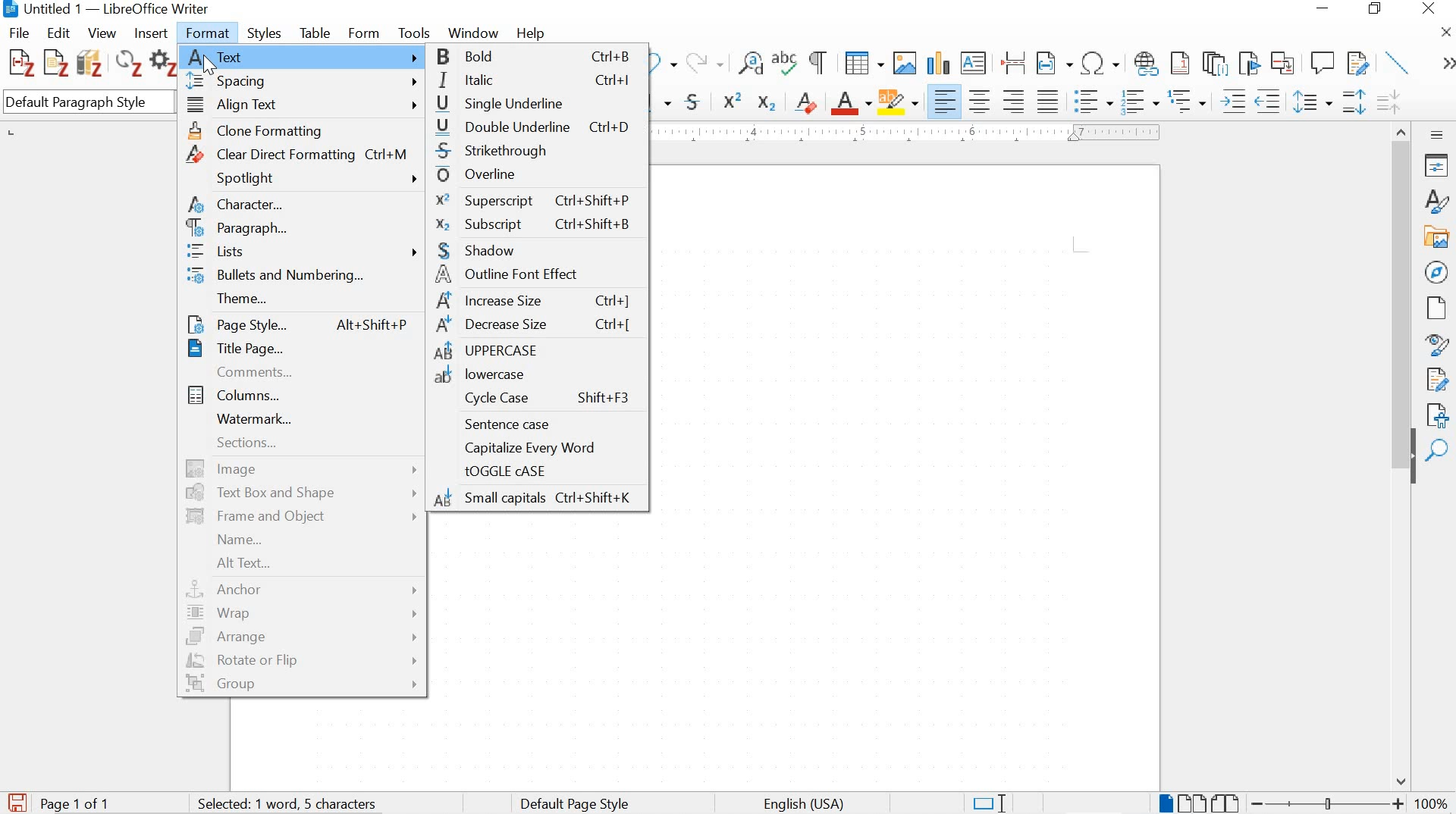 This screenshot has width=1456, height=814. What do you see at coordinates (1432, 803) in the screenshot?
I see `zoom factor-100%` at bounding box center [1432, 803].